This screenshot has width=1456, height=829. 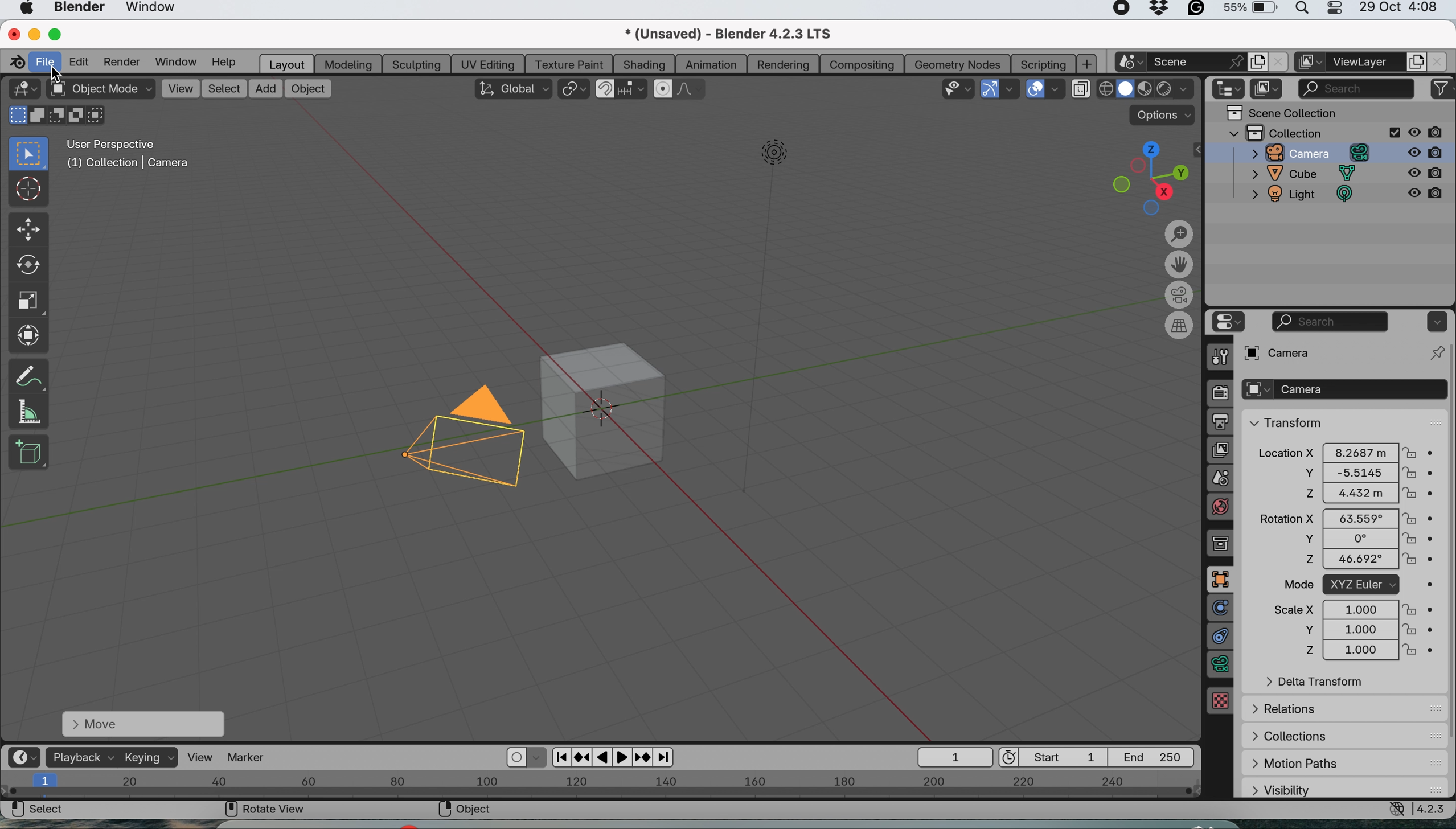 I want to click on move, so click(x=29, y=230).